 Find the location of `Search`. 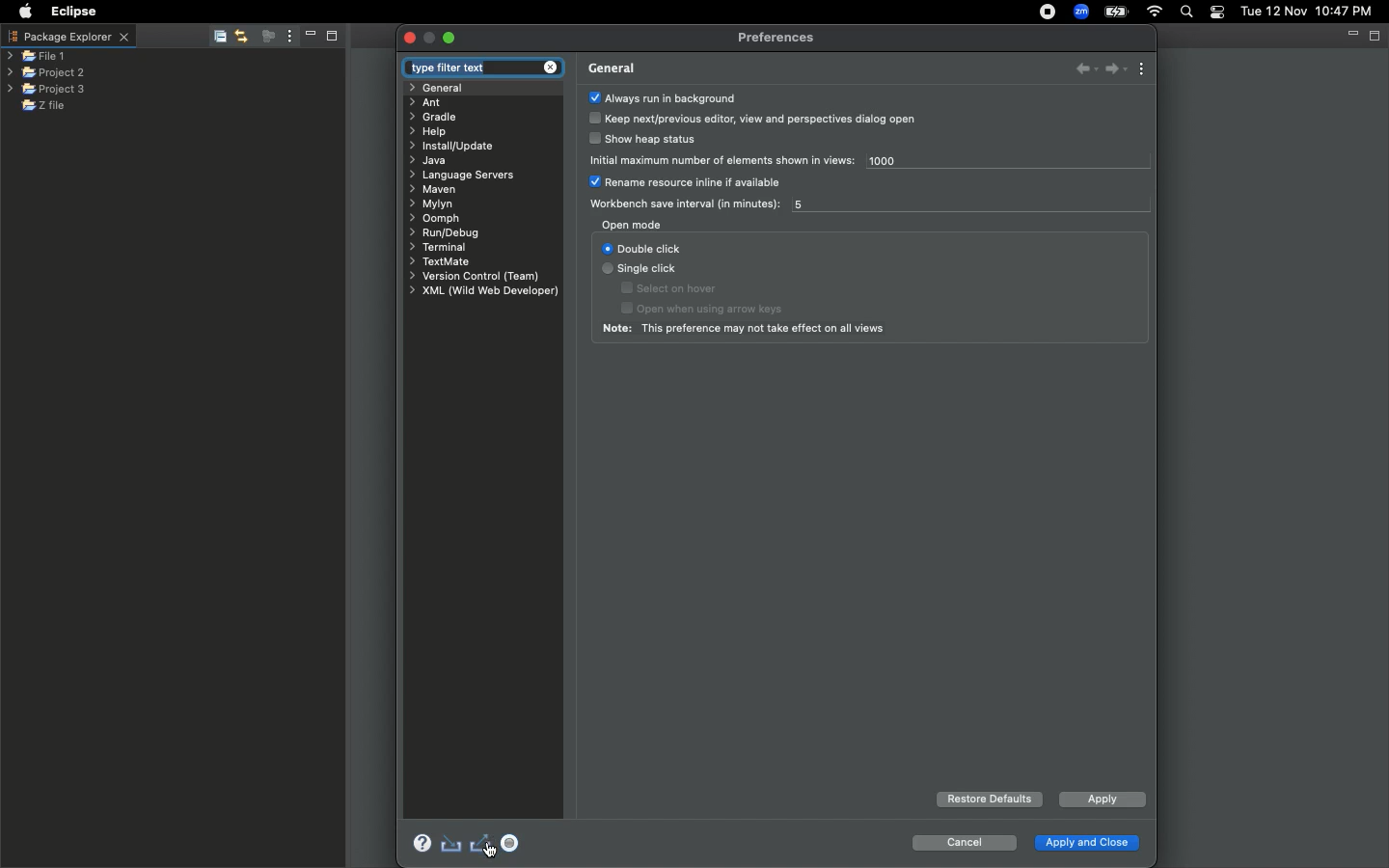

Search is located at coordinates (1186, 12).